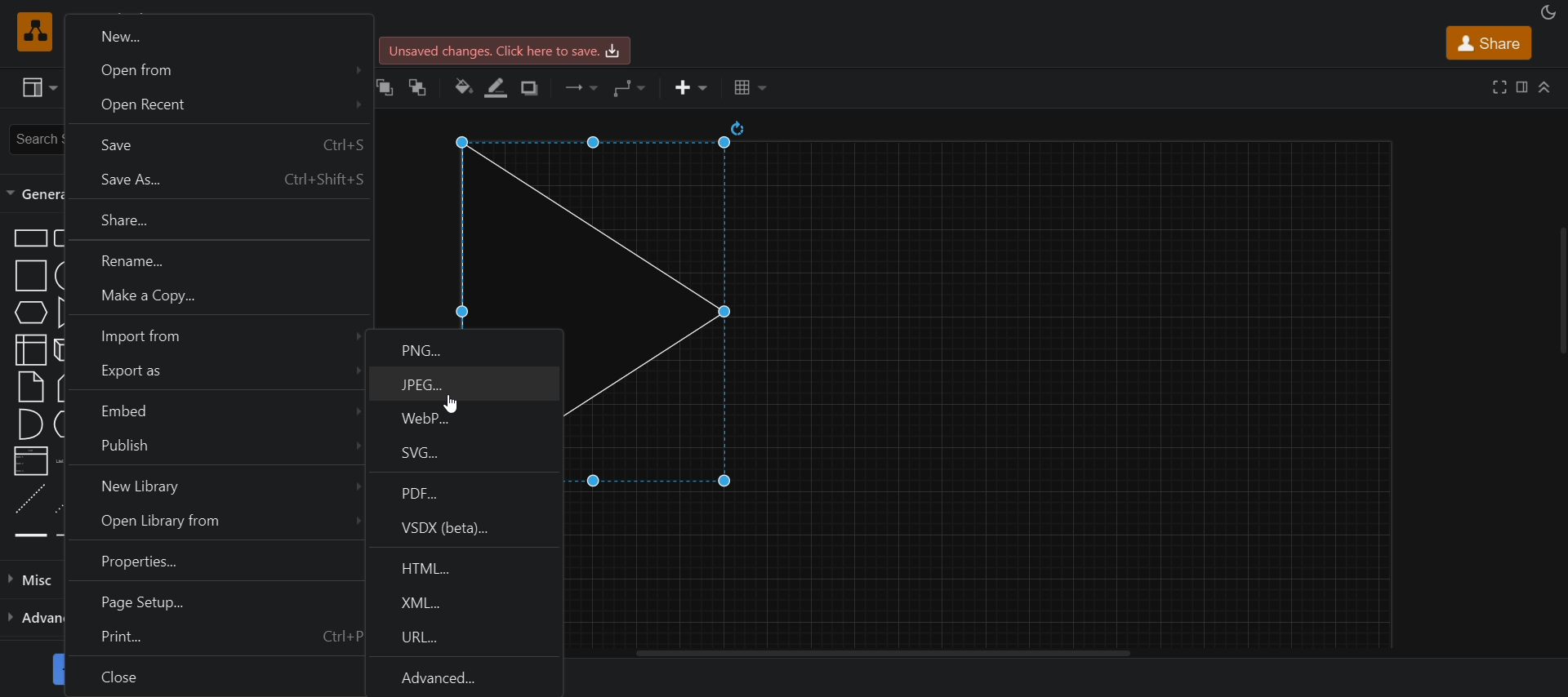  I want to click on insert, so click(689, 89).